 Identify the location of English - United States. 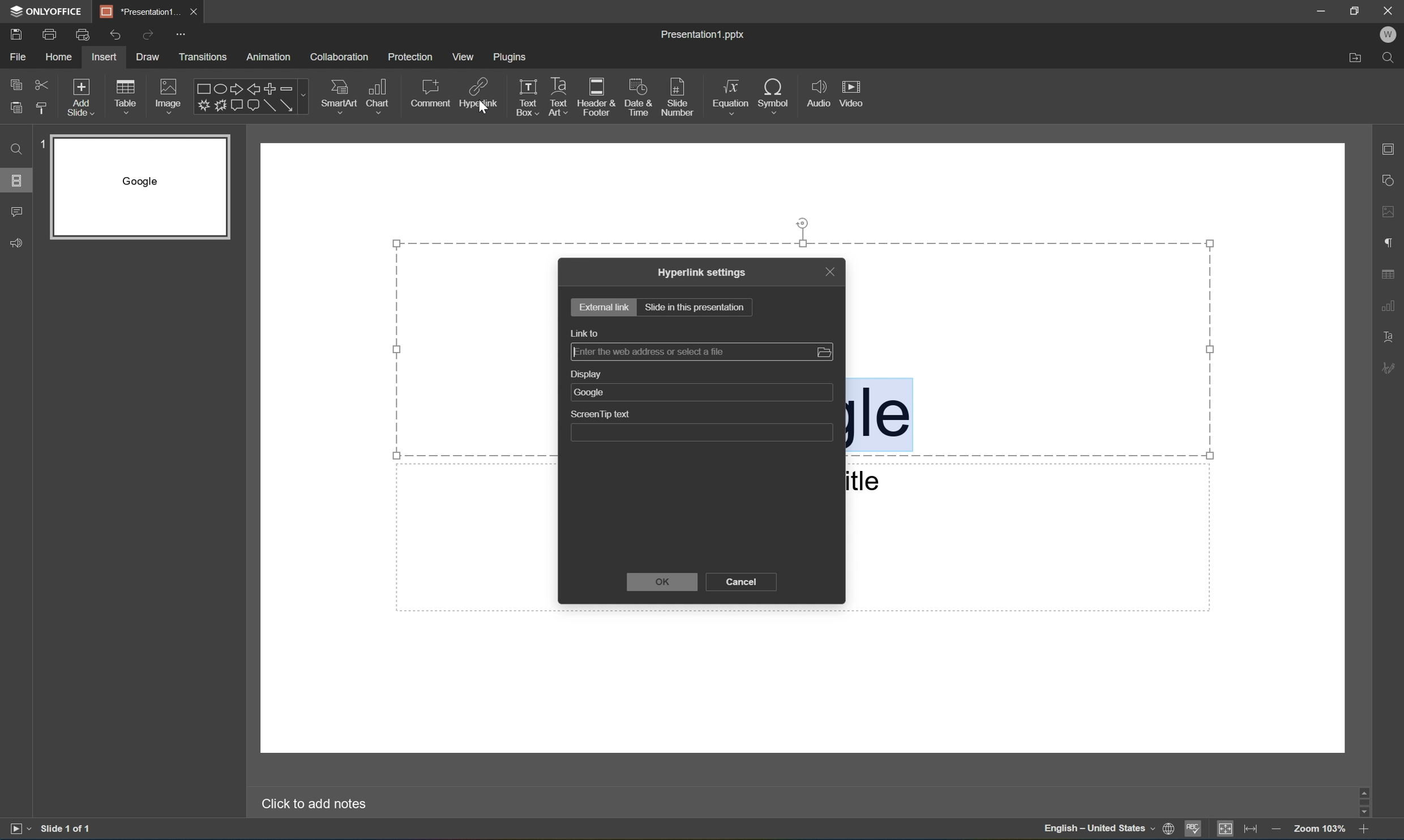
(1097, 829).